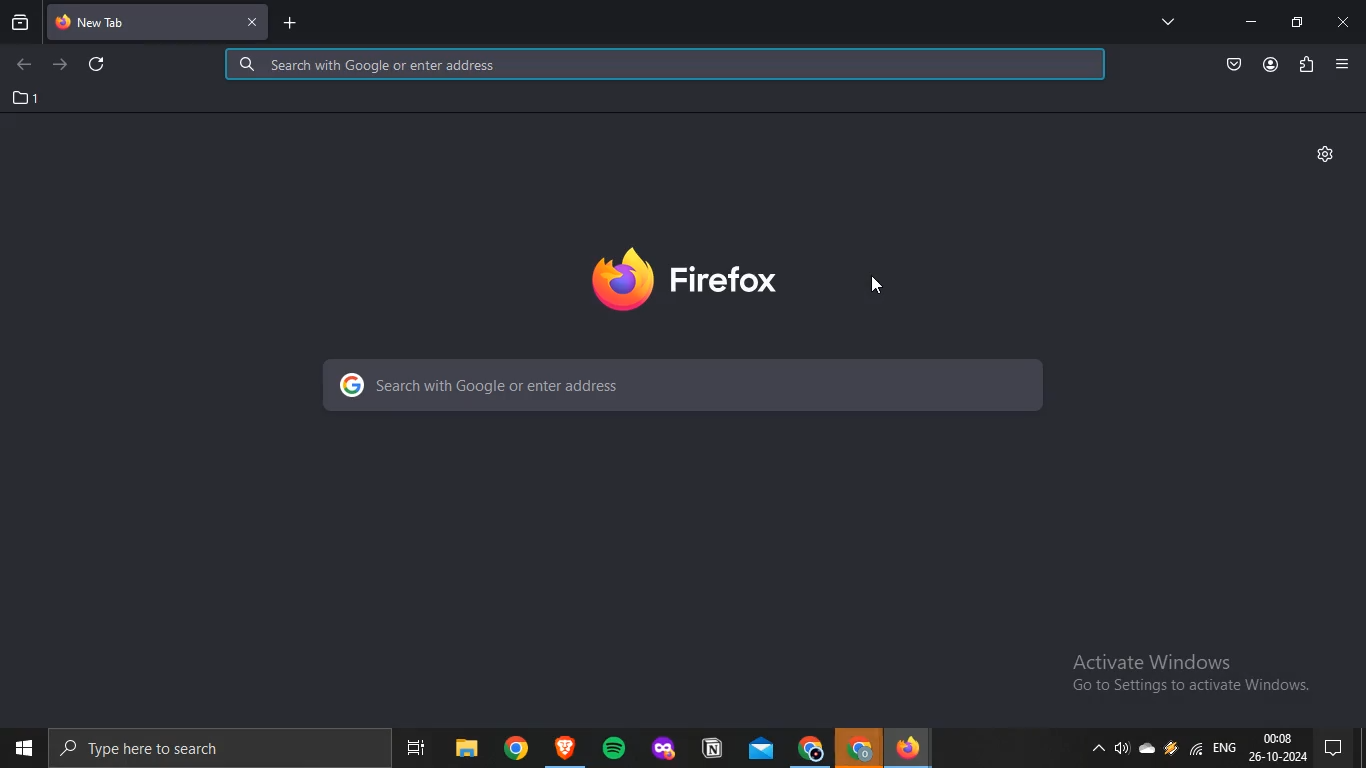 The width and height of the screenshot is (1366, 768). What do you see at coordinates (27, 98) in the screenshot?
I see `1` at bounding box center [27, 98].